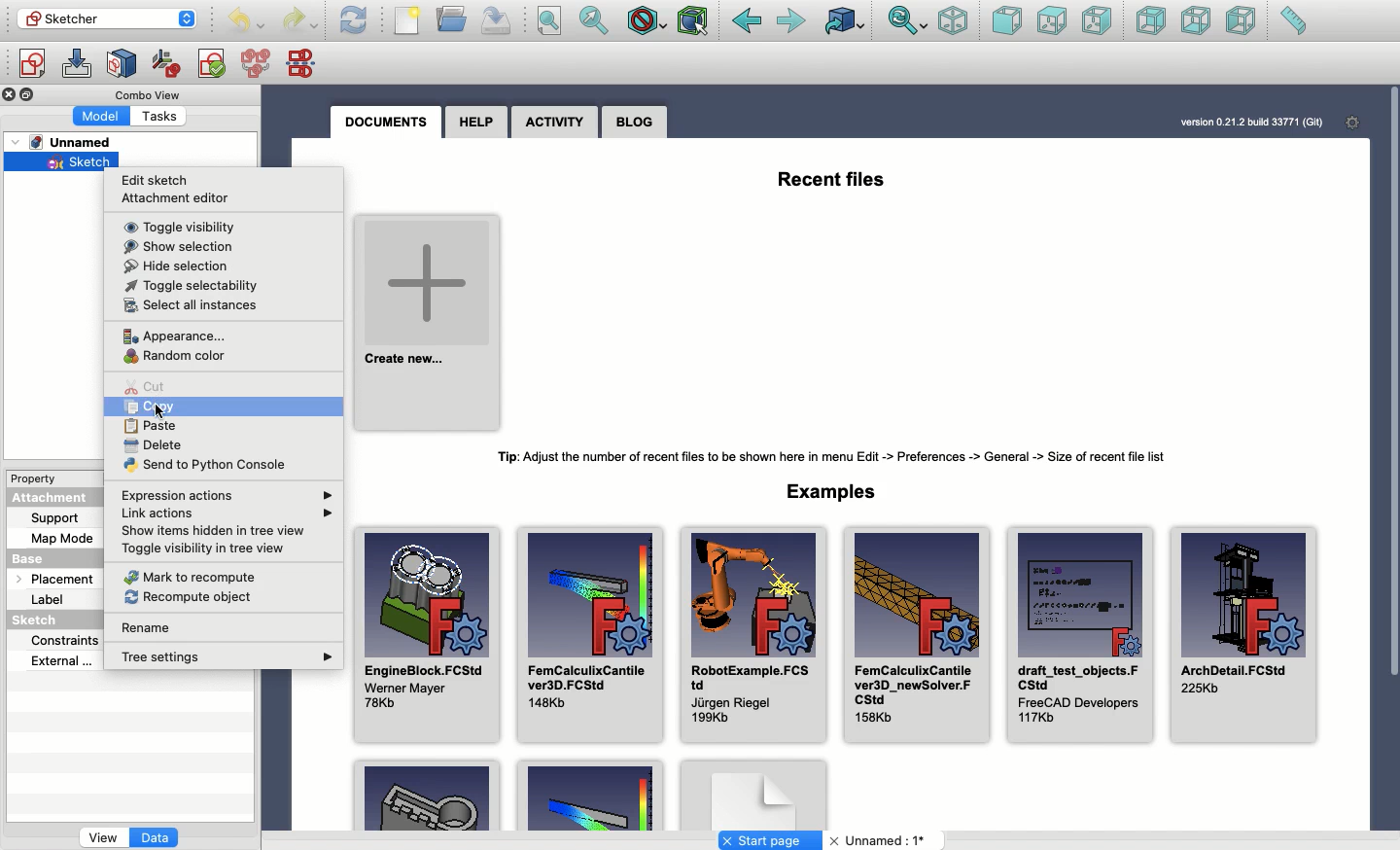  What do you see at coordinates (548, 21) in the screenshot?
I see `Fit all` at bounding box center [548, 21].